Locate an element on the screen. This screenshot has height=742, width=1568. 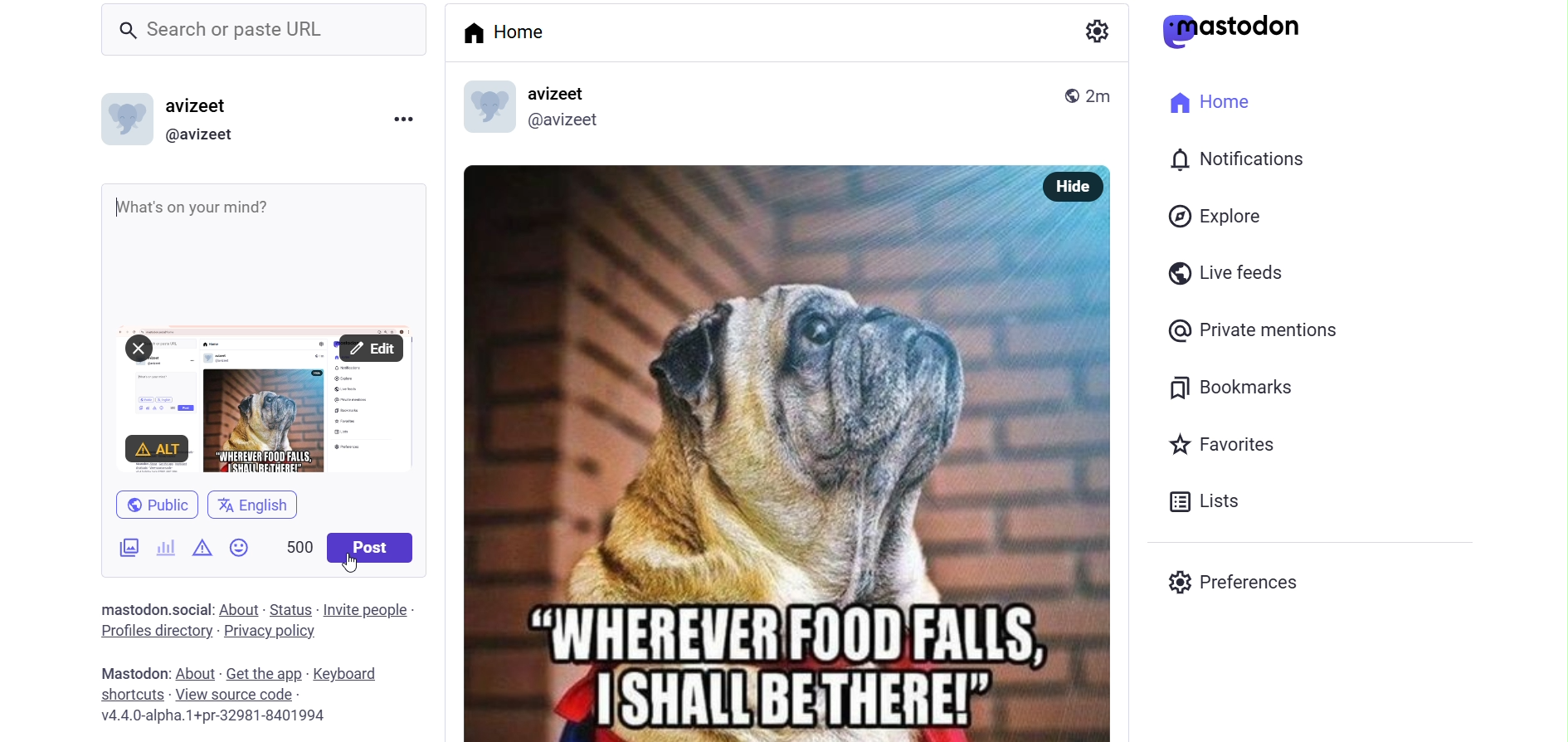
shortcut is located at coordinates (130, 694).